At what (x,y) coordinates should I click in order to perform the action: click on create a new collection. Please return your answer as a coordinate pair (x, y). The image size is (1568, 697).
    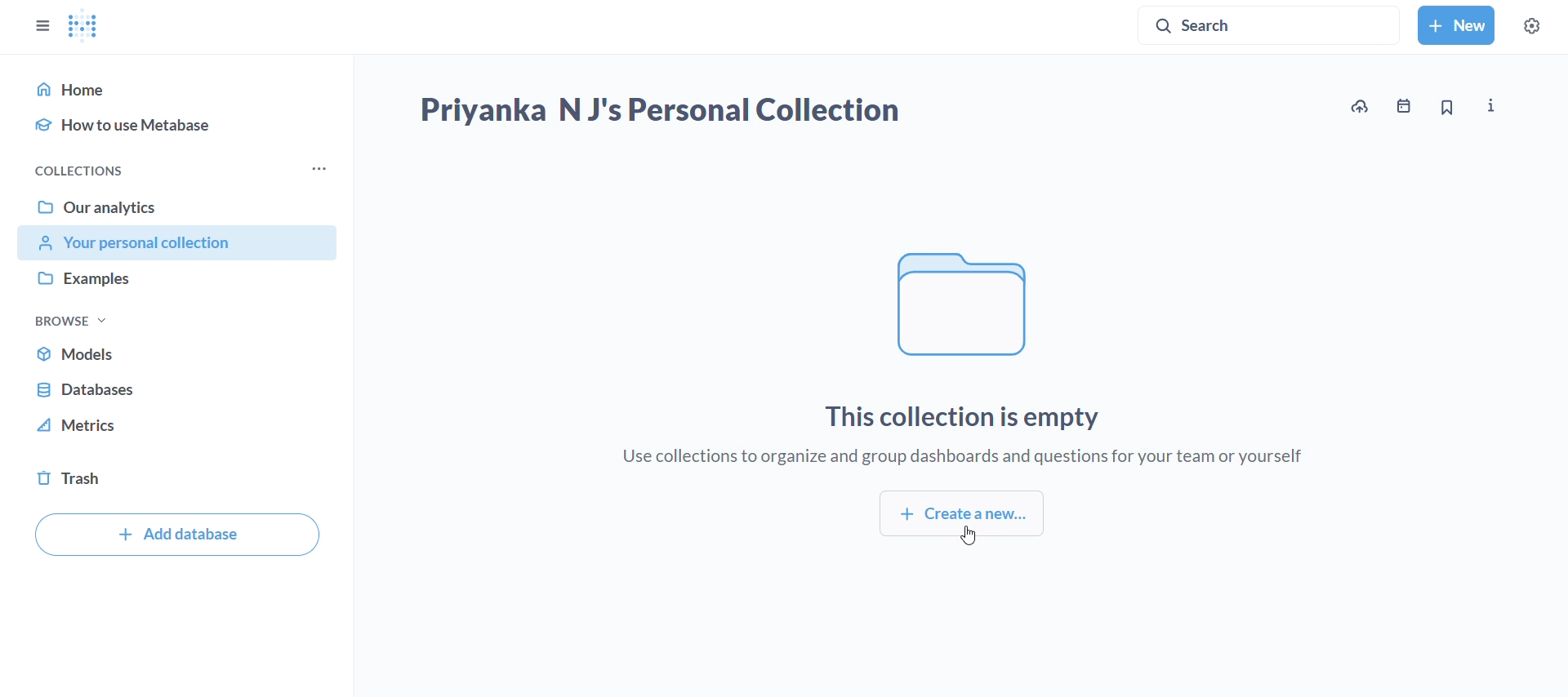
    Looking at the image, I should click on (963, 517).